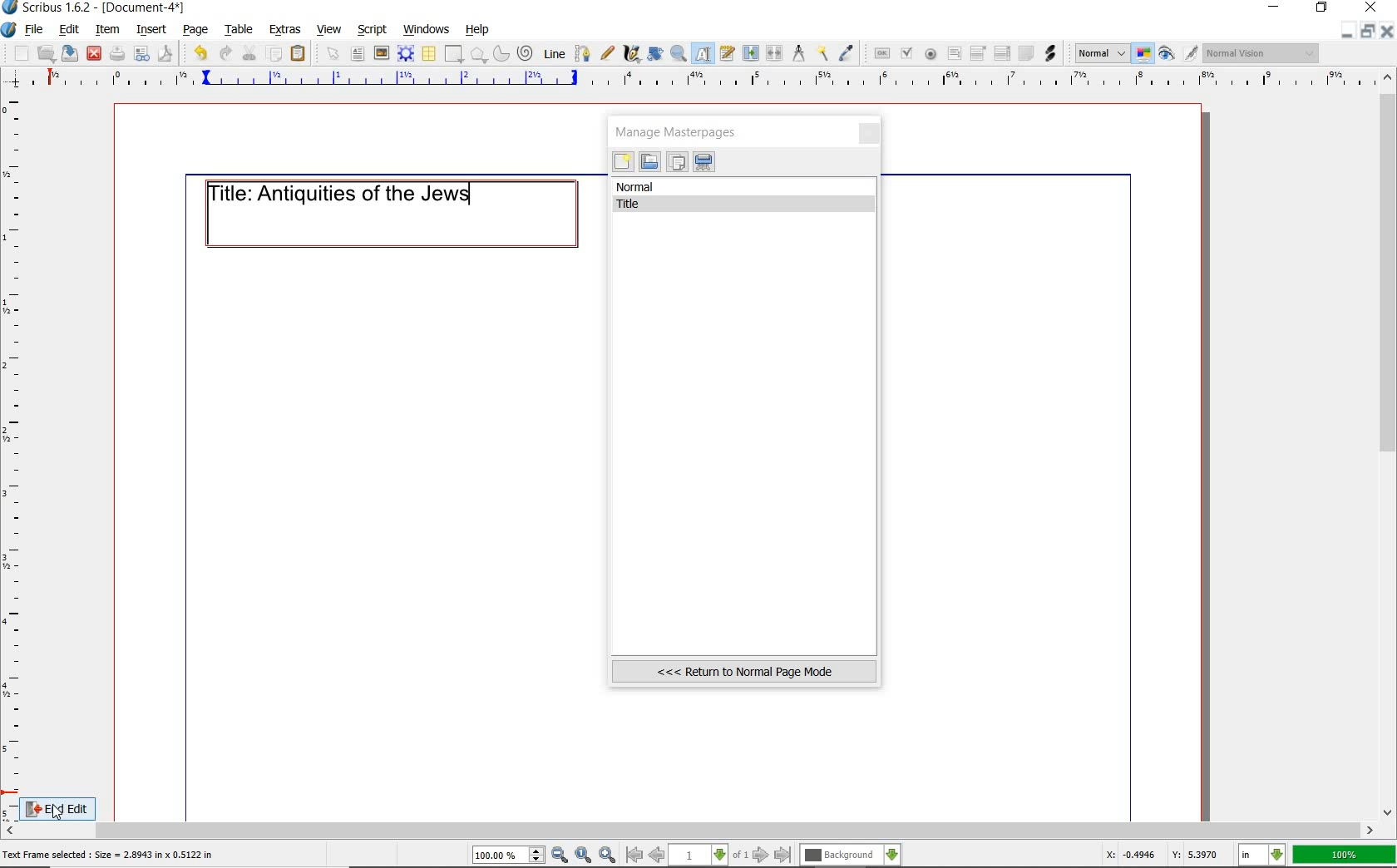 This screenshot has width=1397, height=868. I want to click on text frame, so click(359, 54).